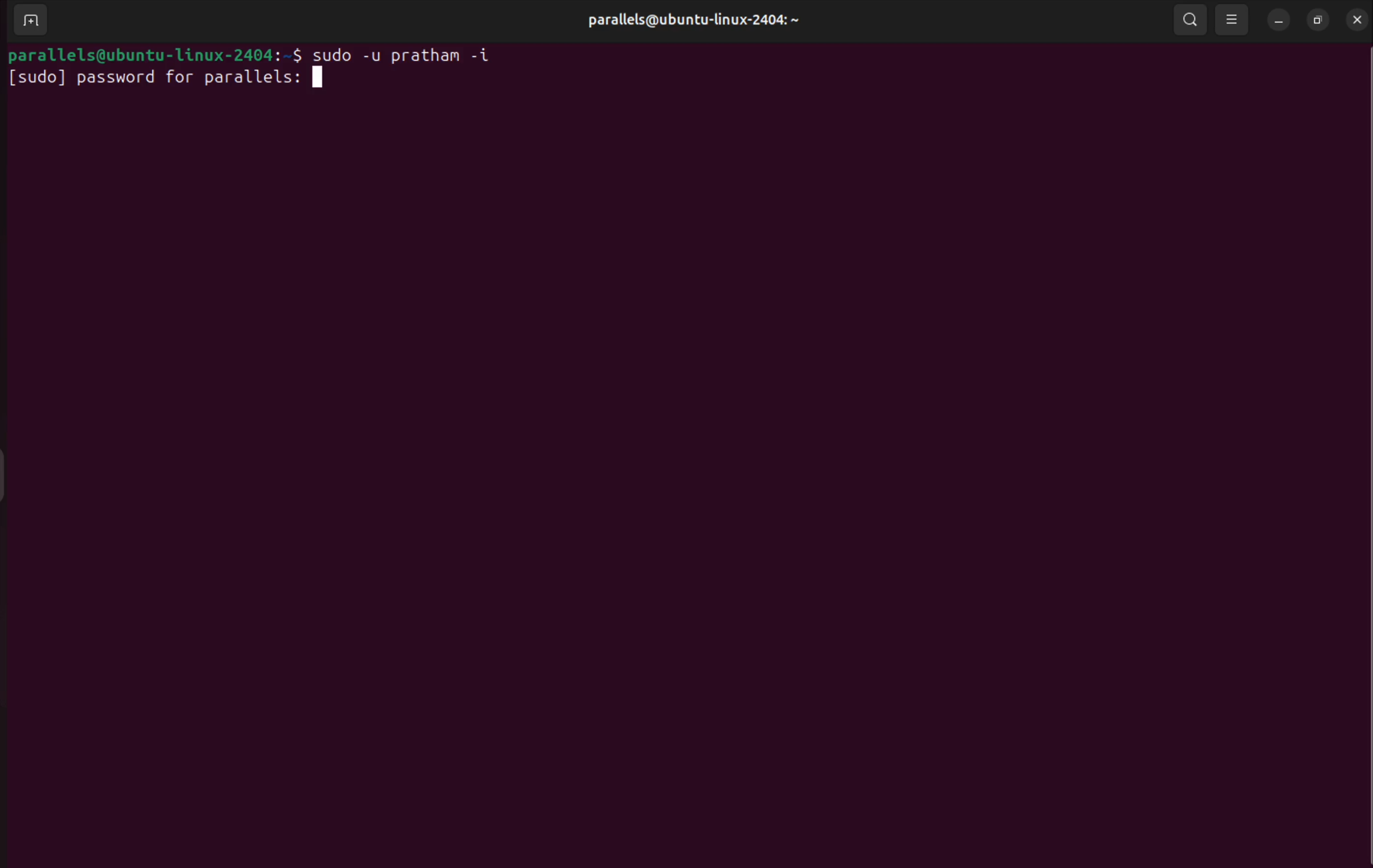 The height and width of the screenshot is (868, 1373). What do you see at coordinates (1318, 20) in the screenshot?
I see `resize` at bounding box center [1318, 20].